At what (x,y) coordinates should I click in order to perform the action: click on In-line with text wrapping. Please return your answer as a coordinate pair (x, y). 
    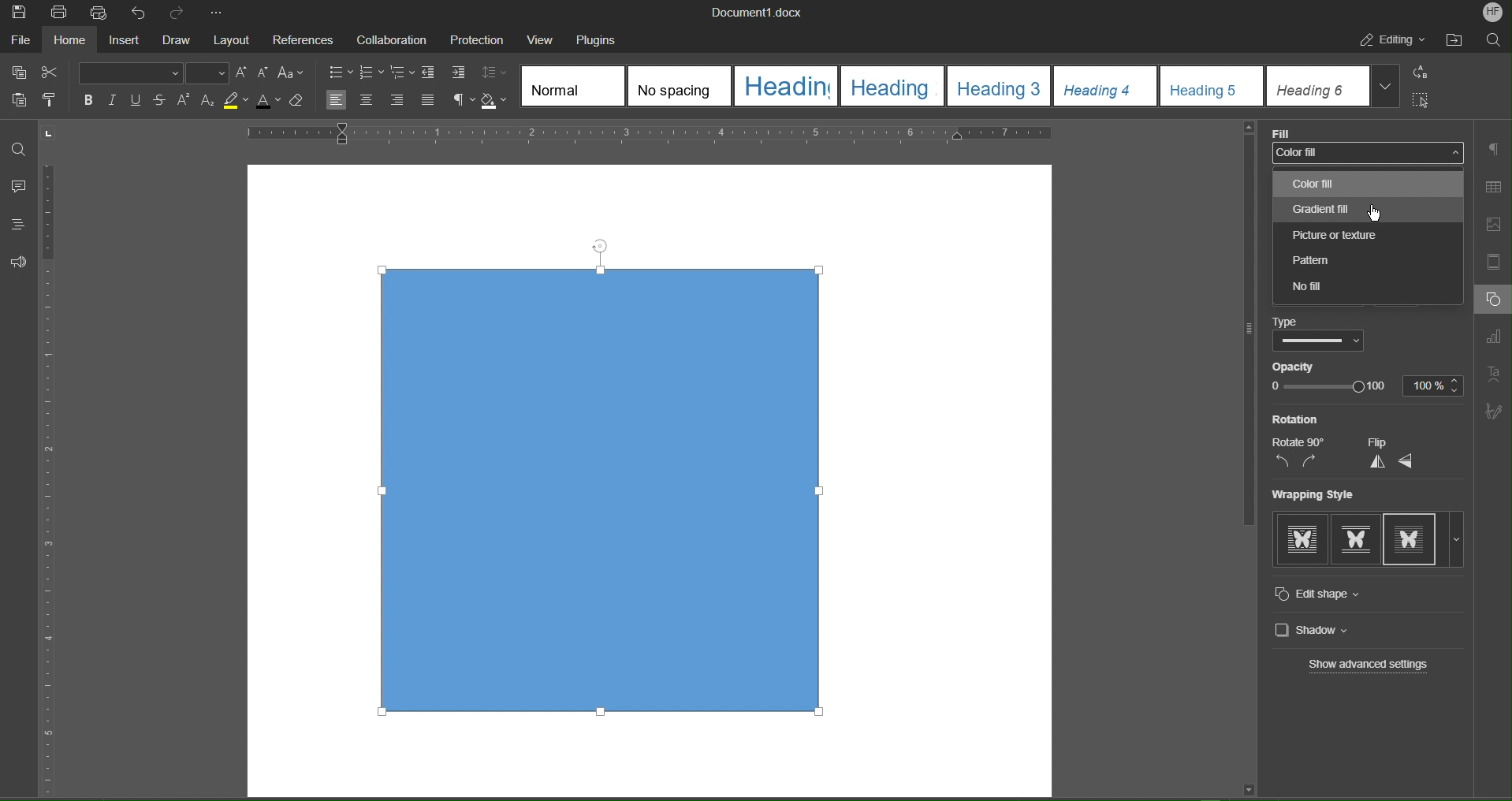
    Looking at the image, I should click on (1302, 543).